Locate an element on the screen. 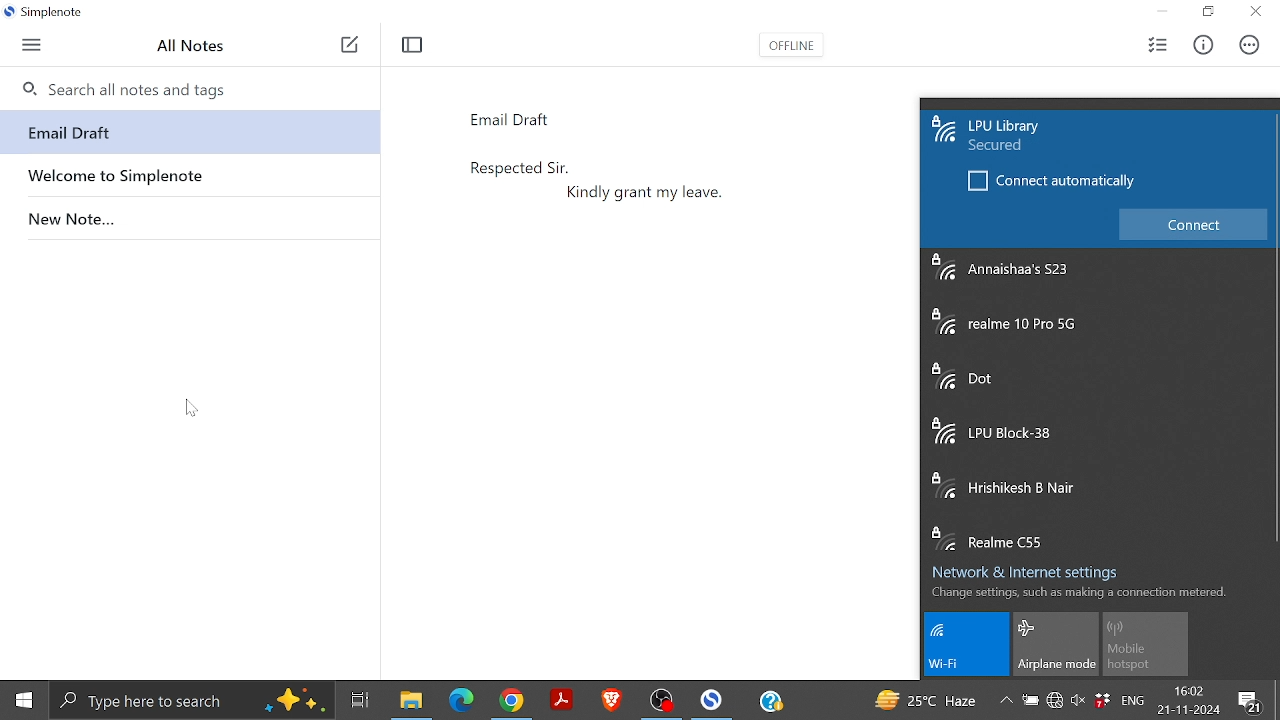 Image resolution: width=1280 pixels, height=720 pixels. Battery is located at coordinates (1032, 703).